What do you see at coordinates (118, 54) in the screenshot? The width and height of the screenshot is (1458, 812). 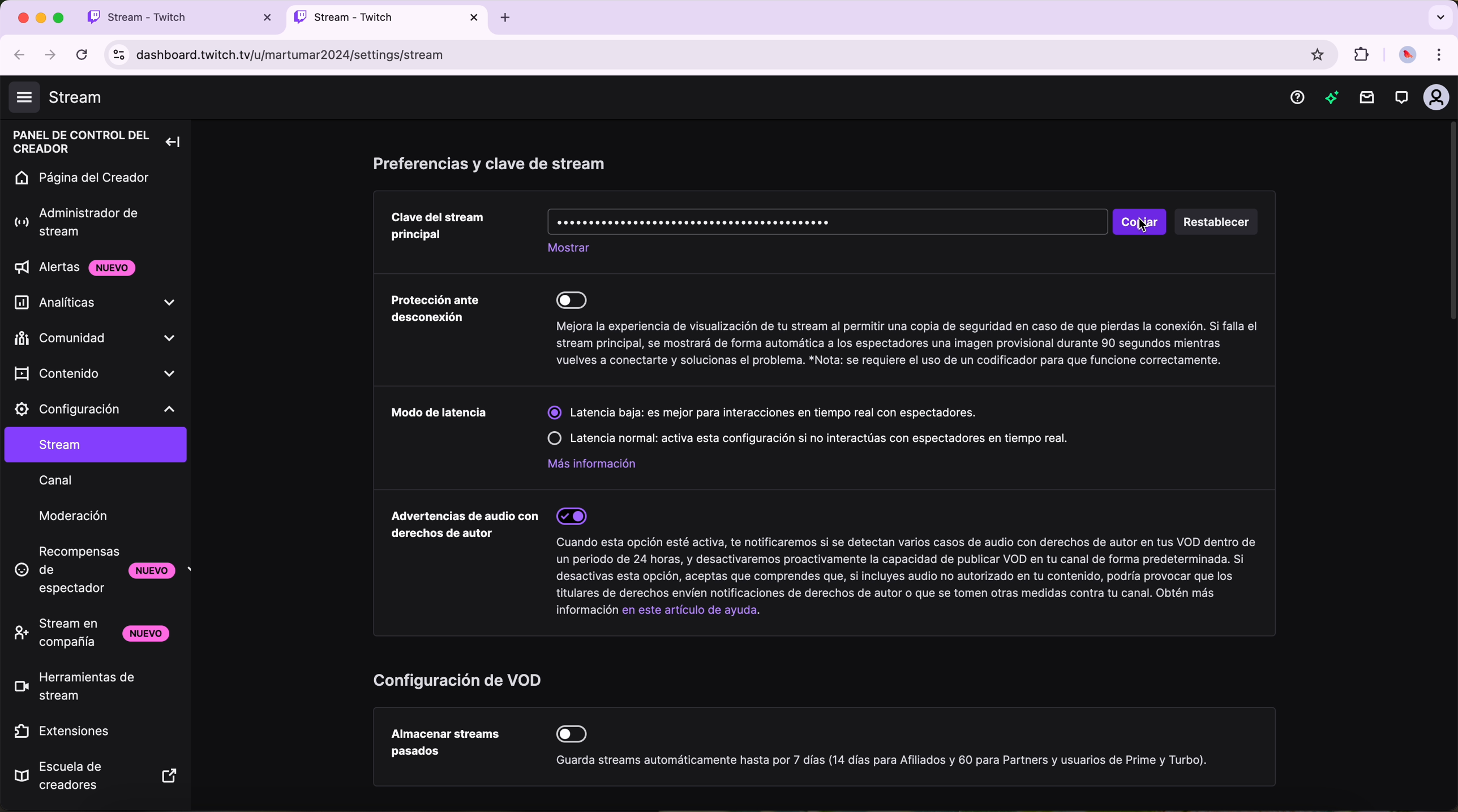 I see `controls` at bounding box center [118, 54].